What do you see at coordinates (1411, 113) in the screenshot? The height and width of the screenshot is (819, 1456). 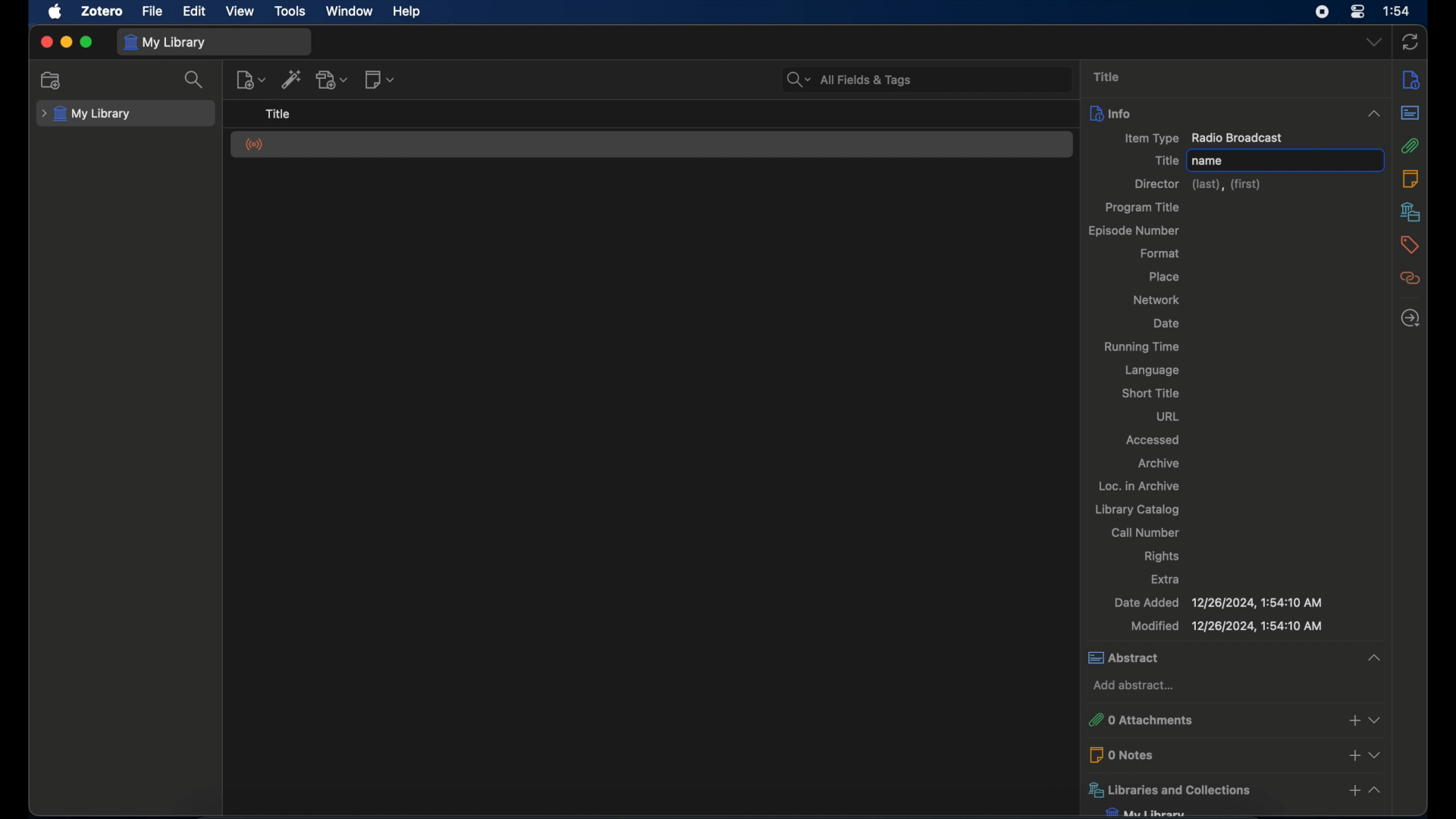 I see `abstract` at bounding box center [1411, 113].